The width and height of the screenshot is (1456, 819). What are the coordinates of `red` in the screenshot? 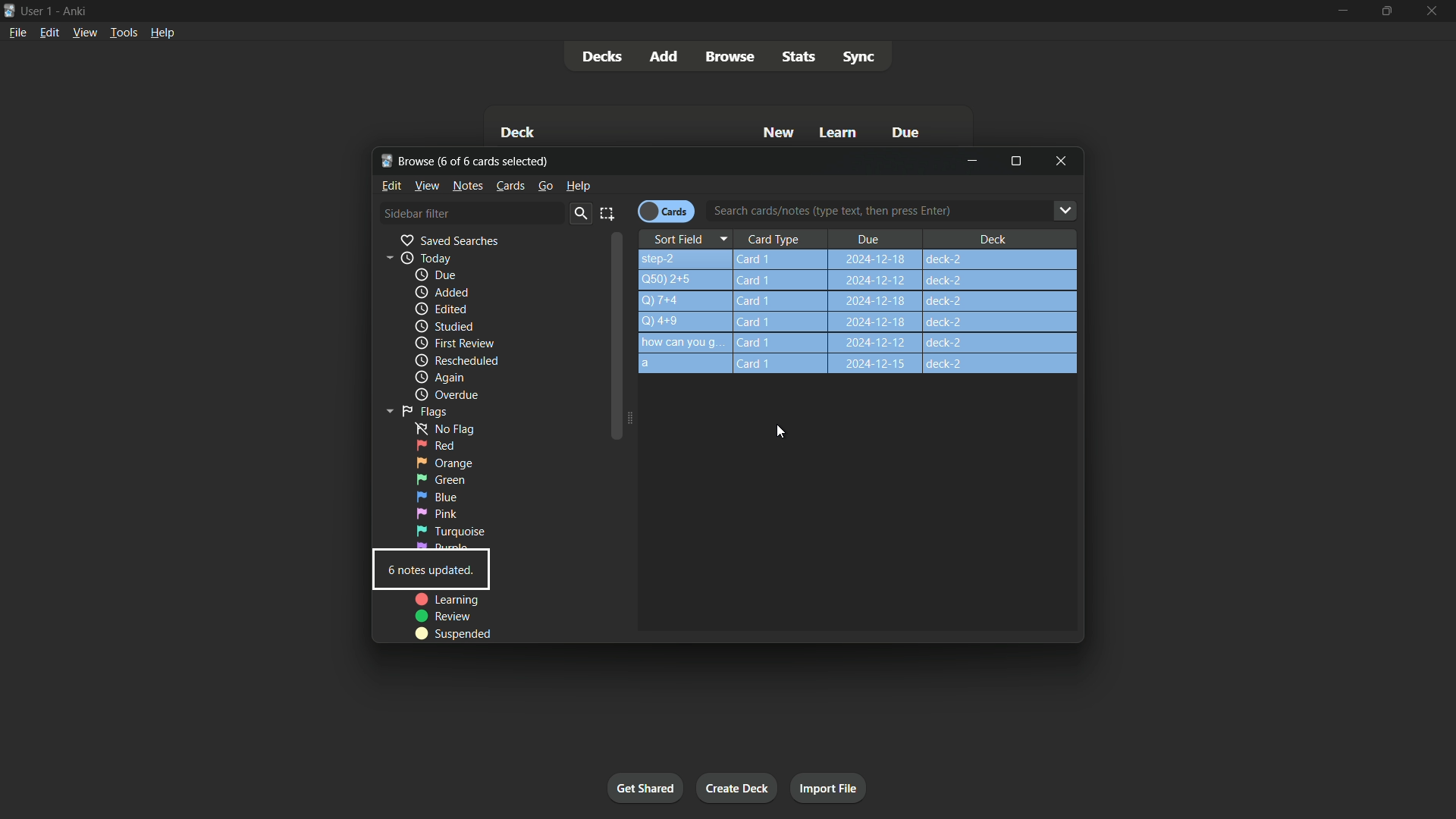 It's located at (435, 446).